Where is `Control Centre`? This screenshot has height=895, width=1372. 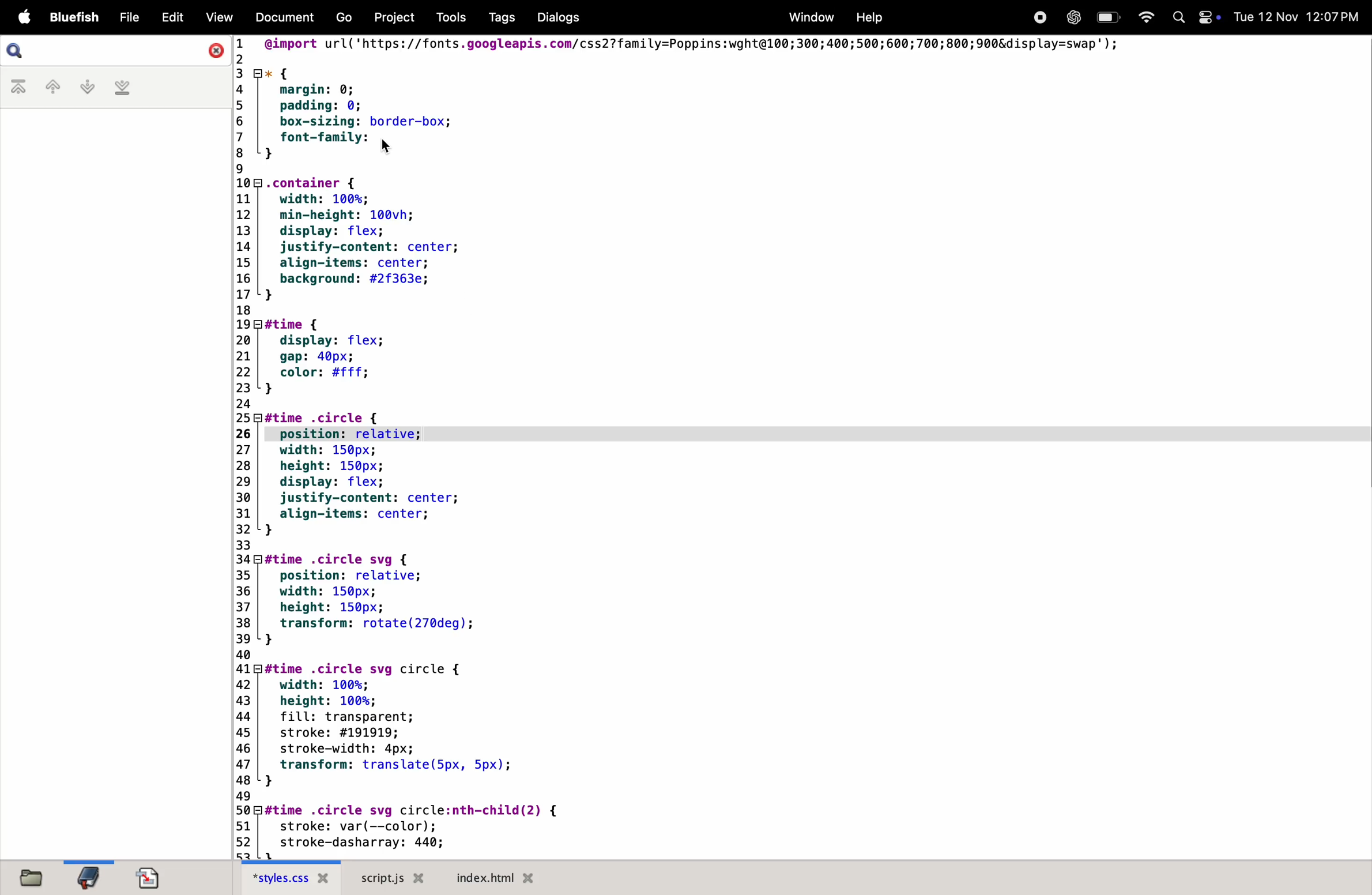 Control Centre is located at coordinates (1208, 16).